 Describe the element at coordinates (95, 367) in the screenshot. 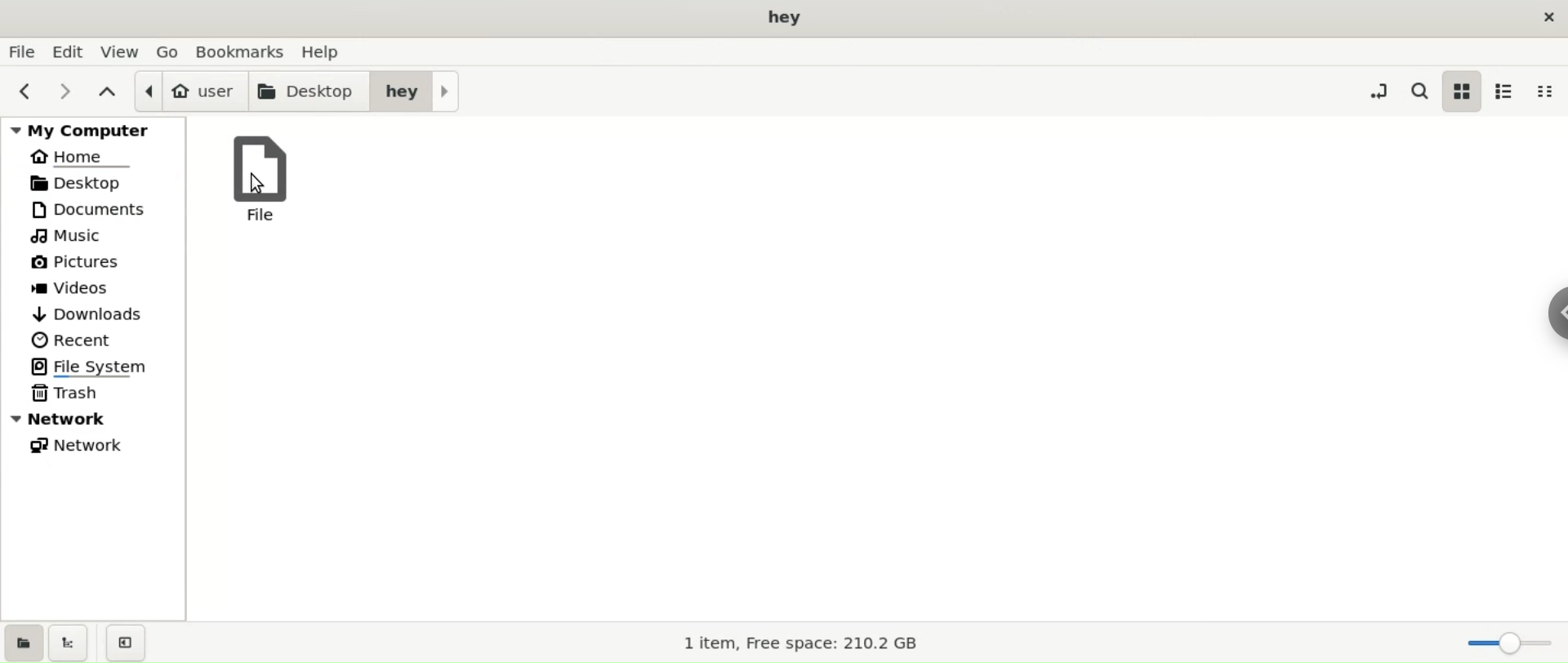

I see `filesystem` at that location.